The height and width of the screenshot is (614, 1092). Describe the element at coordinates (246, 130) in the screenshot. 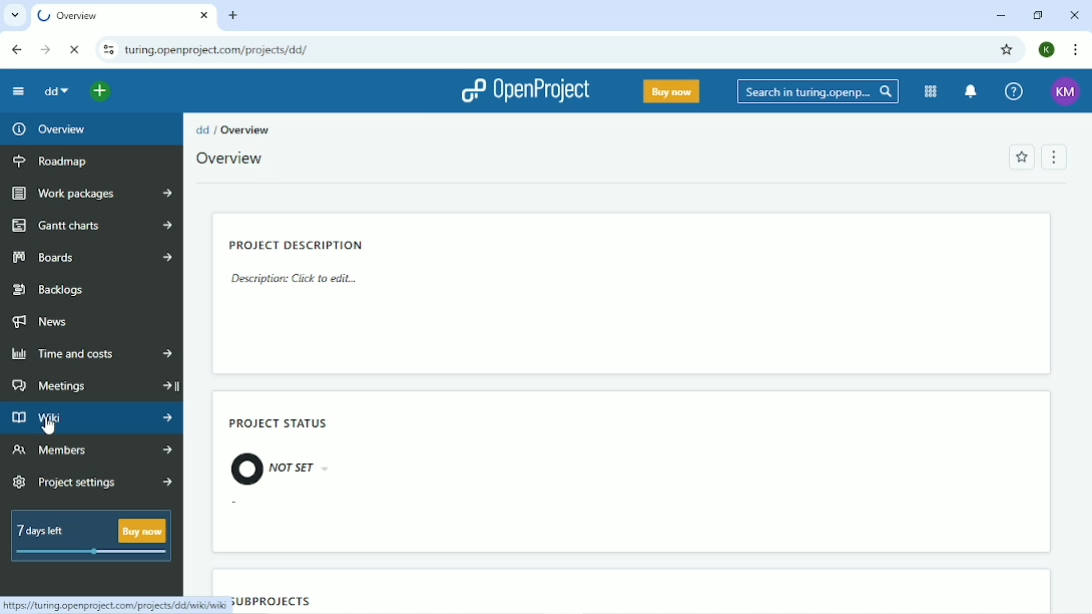

I see `Overview` at that location.